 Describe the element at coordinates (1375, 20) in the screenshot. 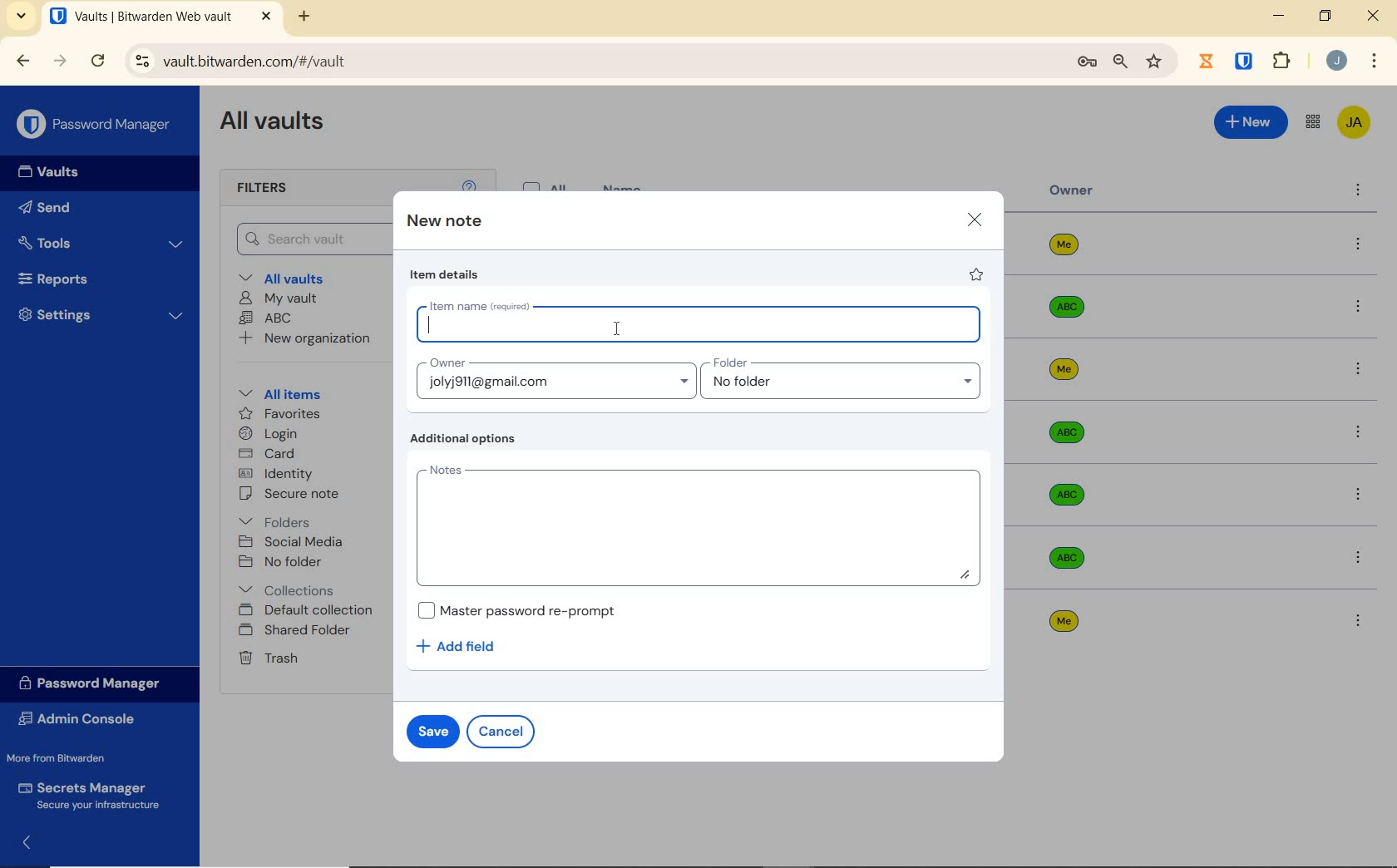

I see `CLOSE` at that location.